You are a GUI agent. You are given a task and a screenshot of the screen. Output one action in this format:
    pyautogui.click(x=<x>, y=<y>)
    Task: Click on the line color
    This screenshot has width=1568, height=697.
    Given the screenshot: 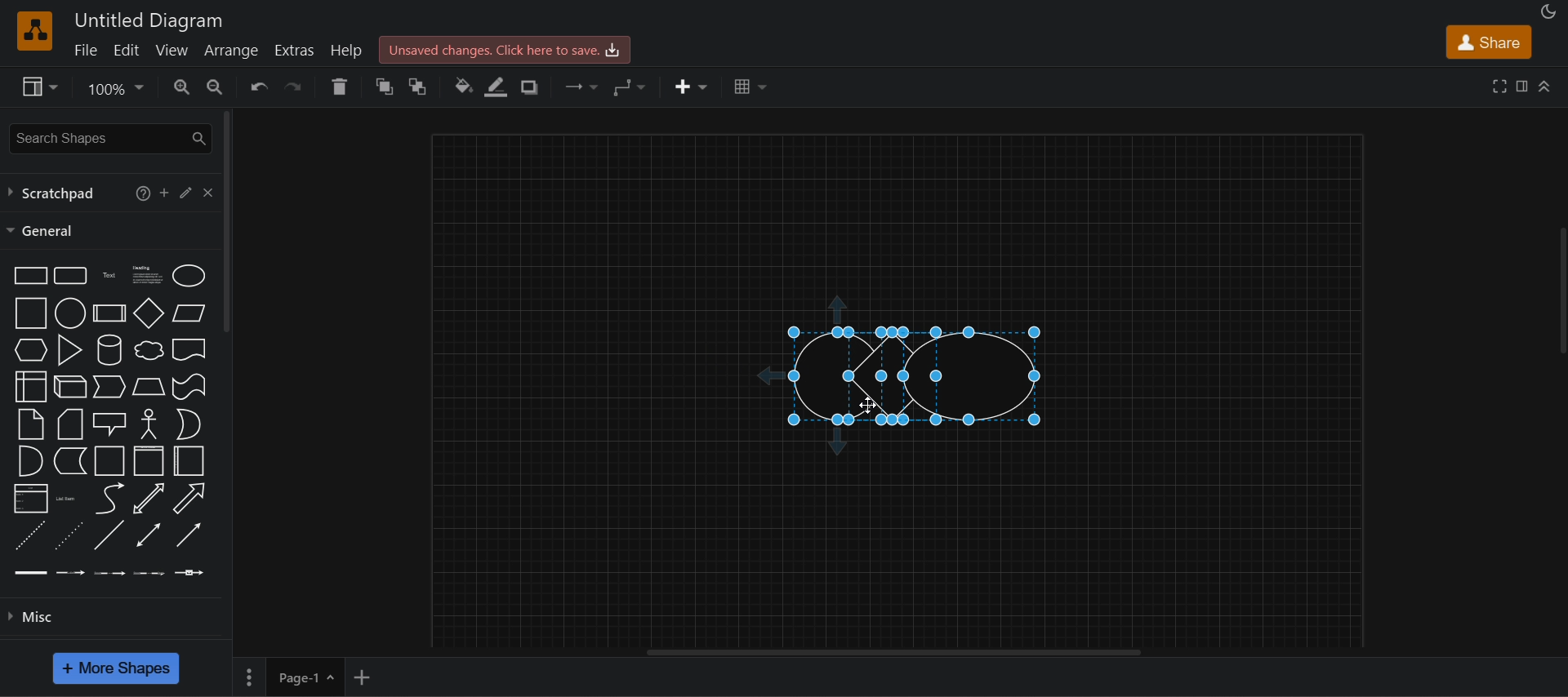 What is the action you would take?
    pyautogui.click(x=497, y=87)
    